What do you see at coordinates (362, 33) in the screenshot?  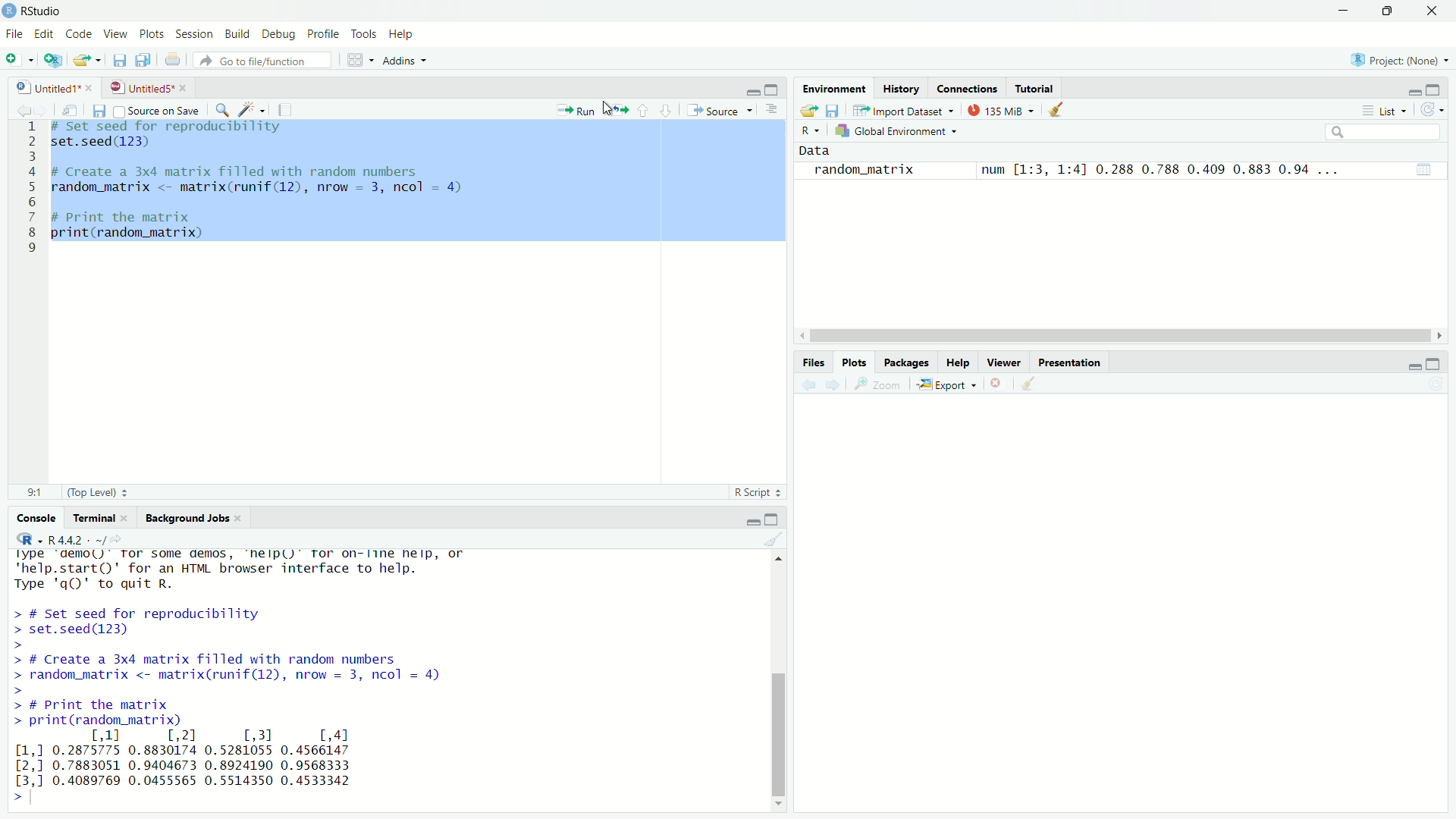 I see `Tools` at bounding box center [362, 33].